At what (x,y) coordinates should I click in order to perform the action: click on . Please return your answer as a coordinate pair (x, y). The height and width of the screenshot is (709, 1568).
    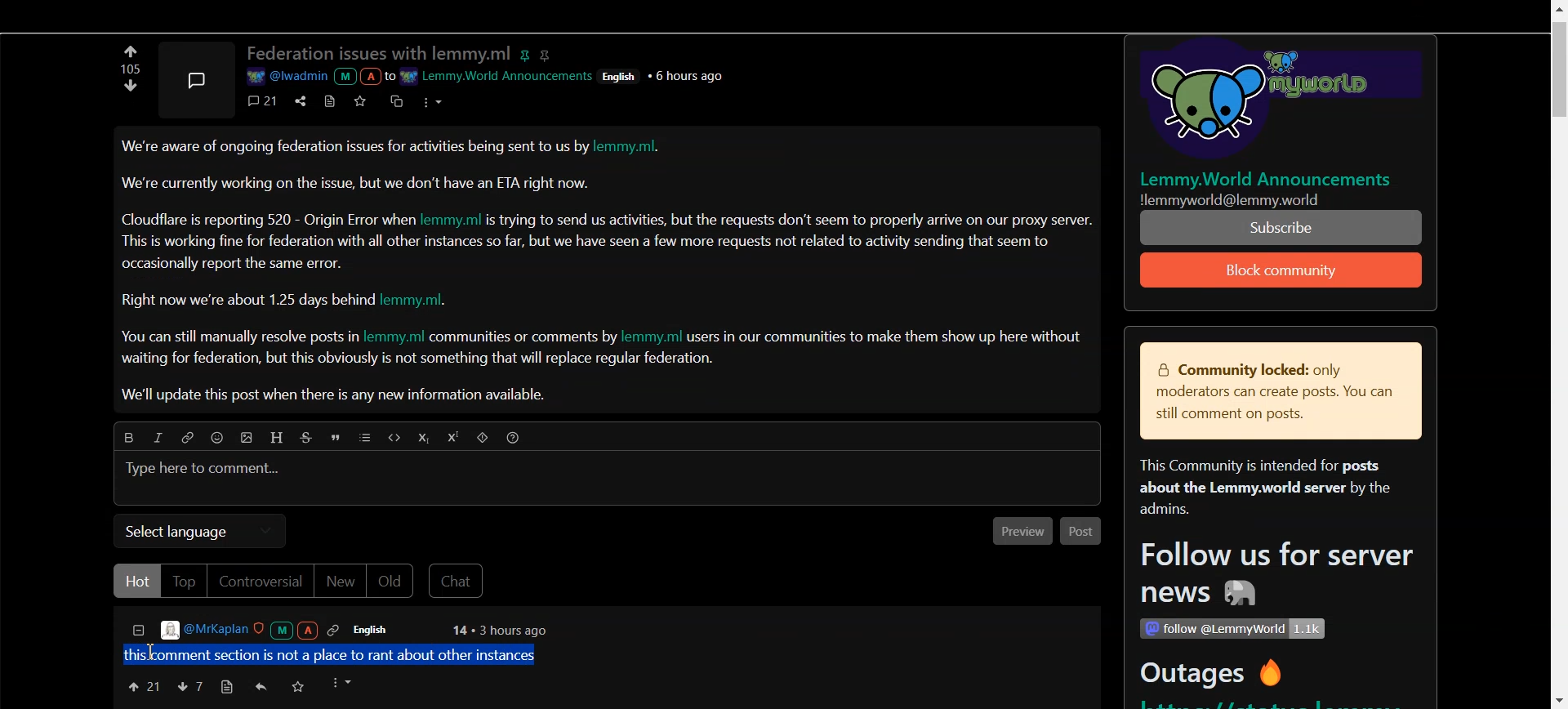
    Looking at the image, I should click on (1271, 102).